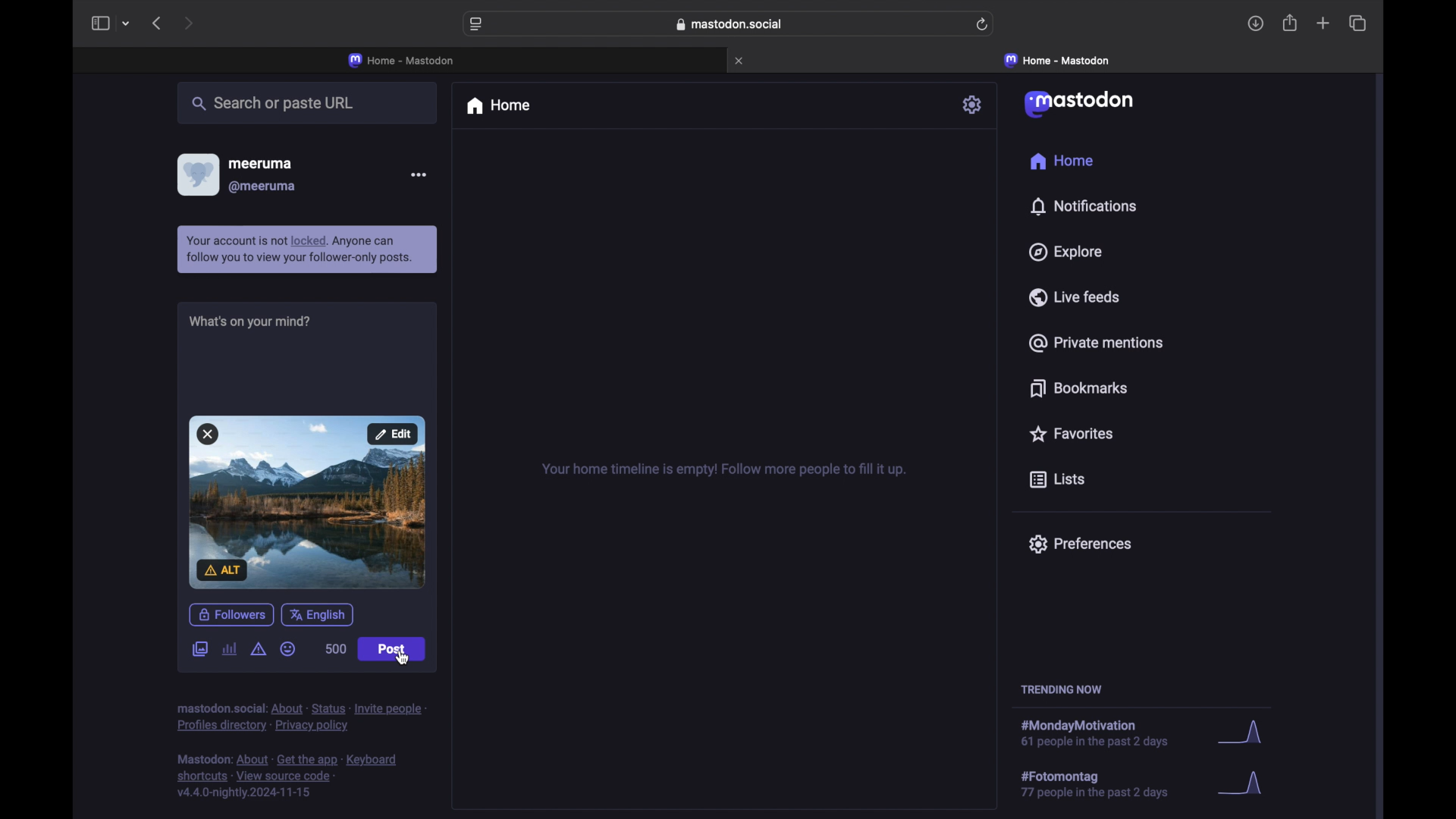 The image size is (1456, 819). Describe the element at coordinates (1074, 435) in the screenshot. I see `favorites` at that location.